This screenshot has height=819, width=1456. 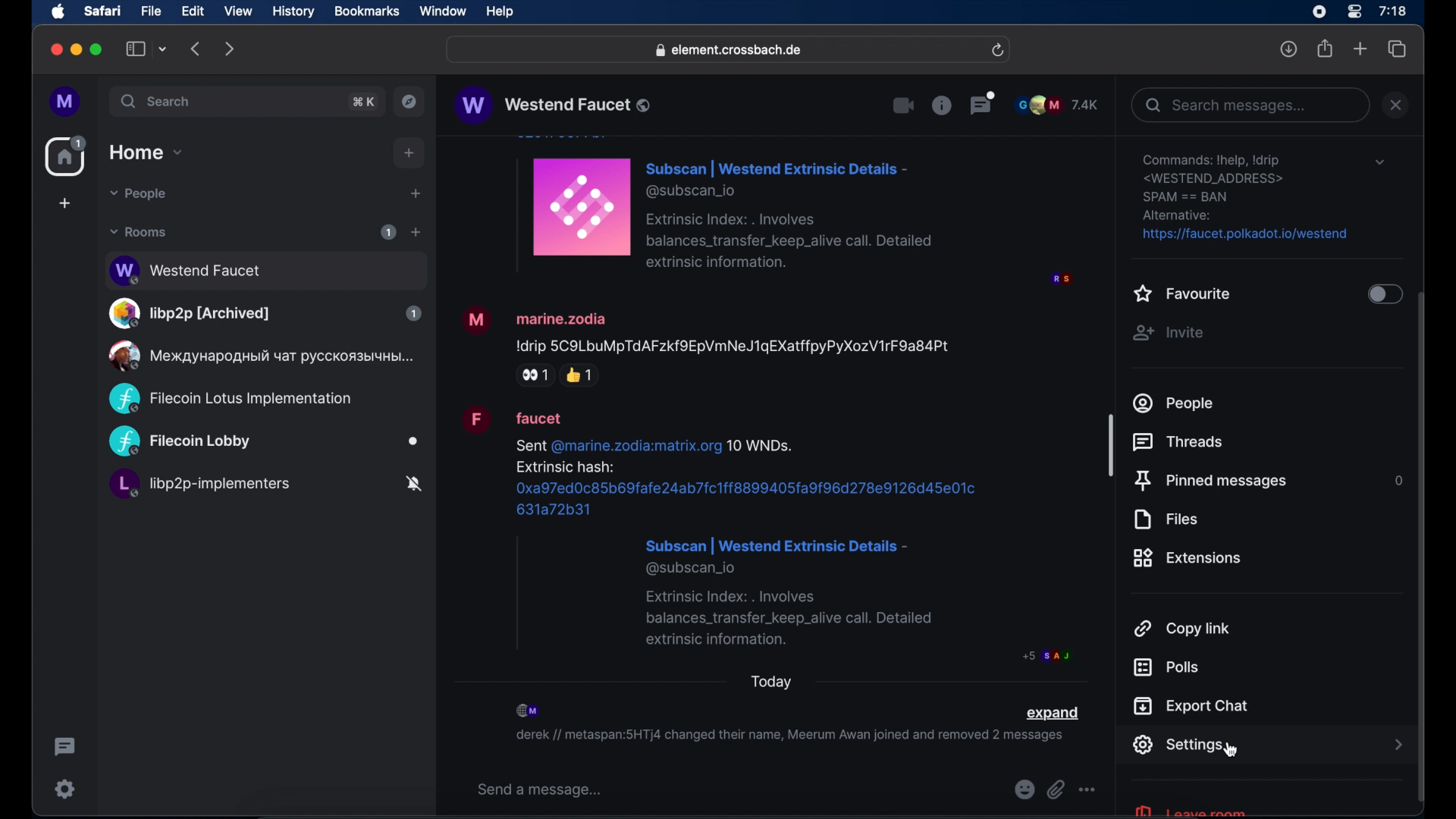 What do you see at coordinates (1398, 49) in the screenshot?
I see `show tab overview` at bounding box center [1398, 49].